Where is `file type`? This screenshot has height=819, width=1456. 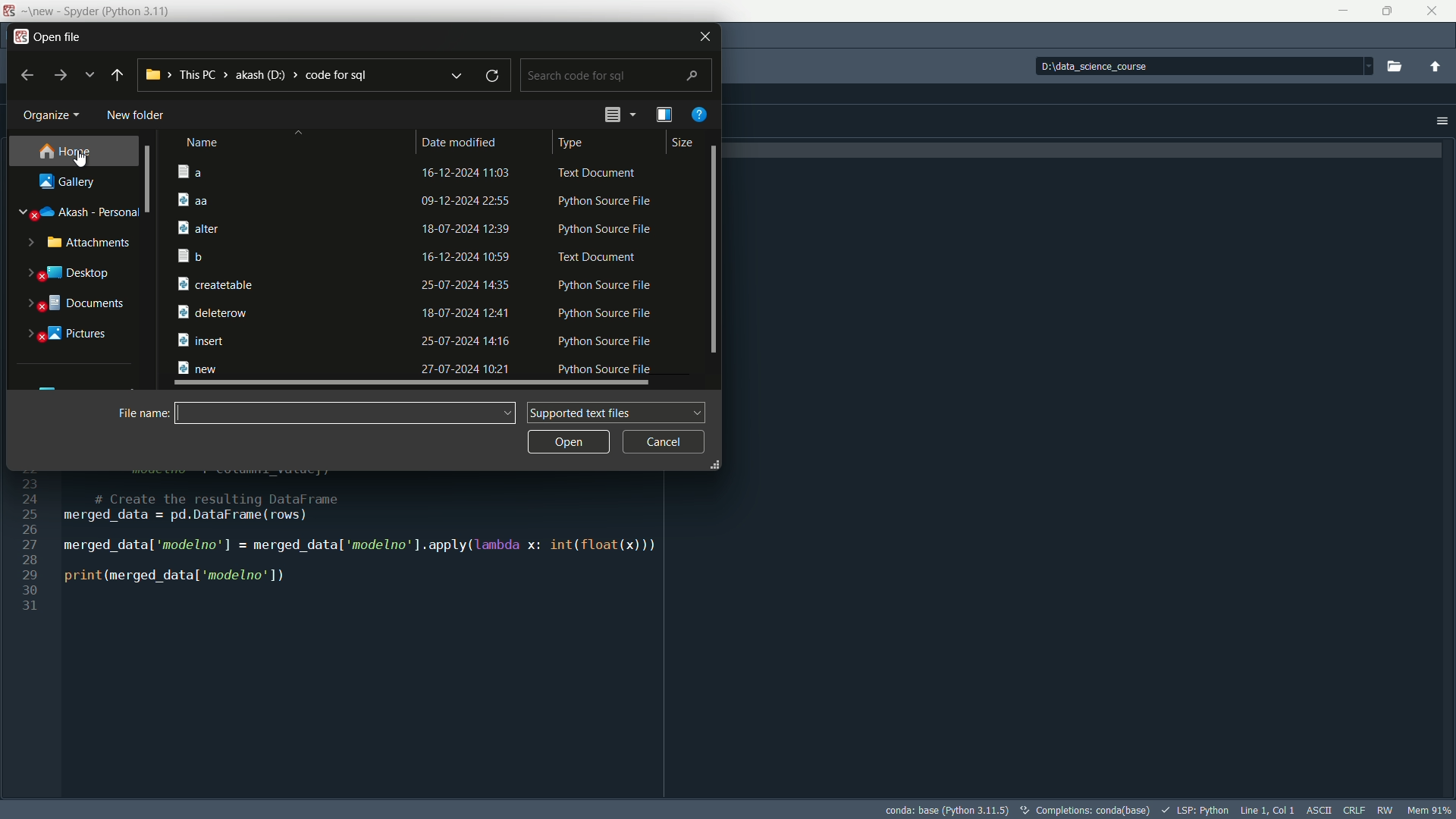
file type is located at coordinates (605, 287).